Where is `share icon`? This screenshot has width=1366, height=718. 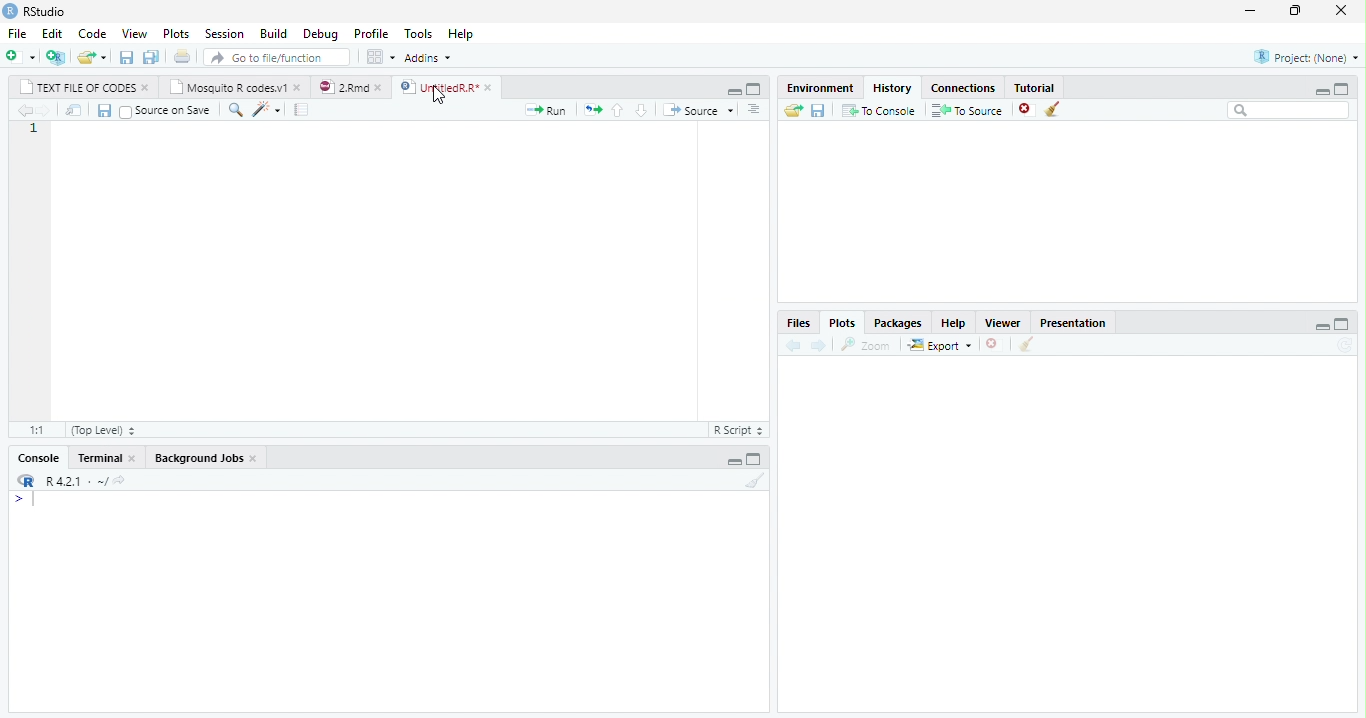 share icon is located at coordinates (122, 480).